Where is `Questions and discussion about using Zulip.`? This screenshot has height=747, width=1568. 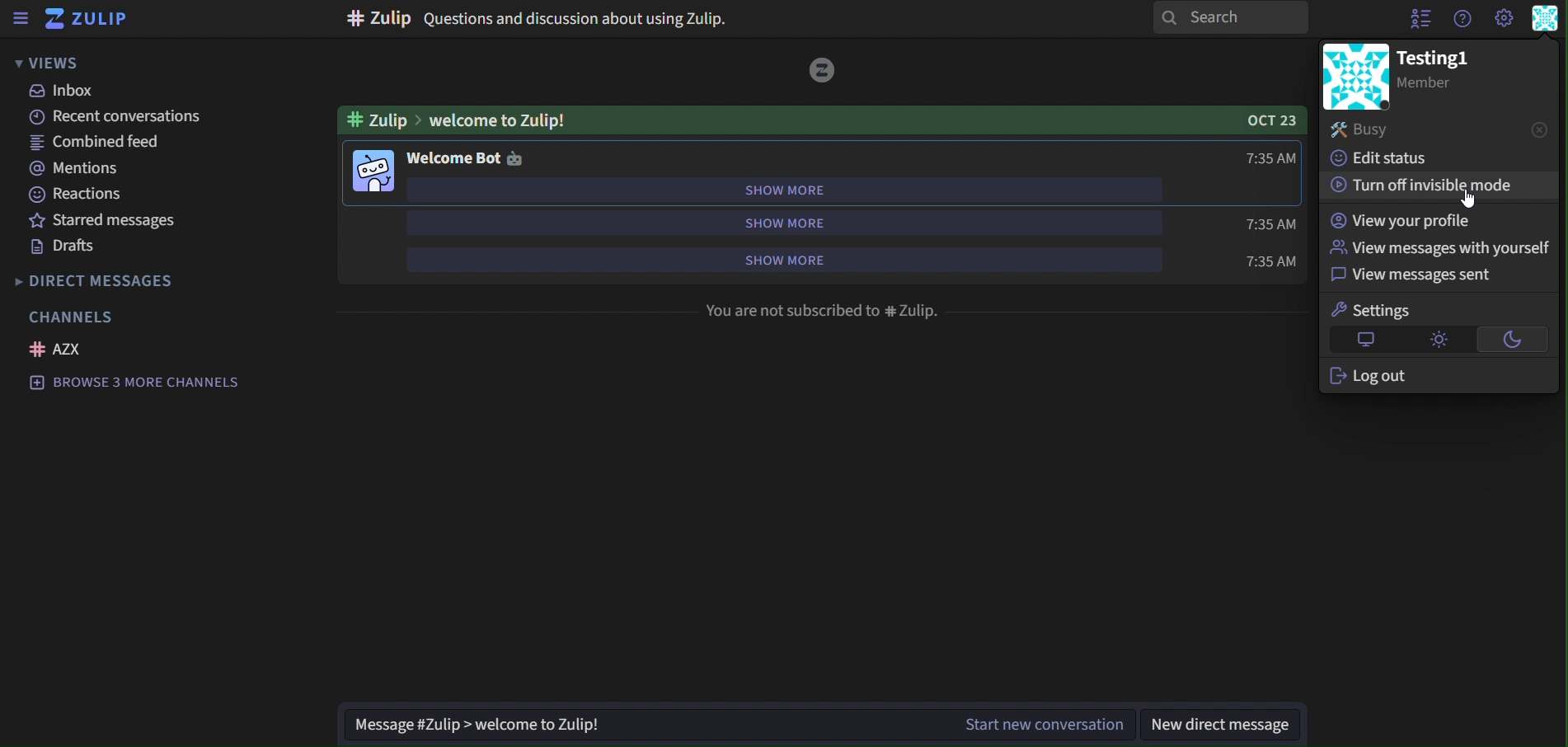
Questions and discussion about using Zulip. is located at coordinates (538, 19).